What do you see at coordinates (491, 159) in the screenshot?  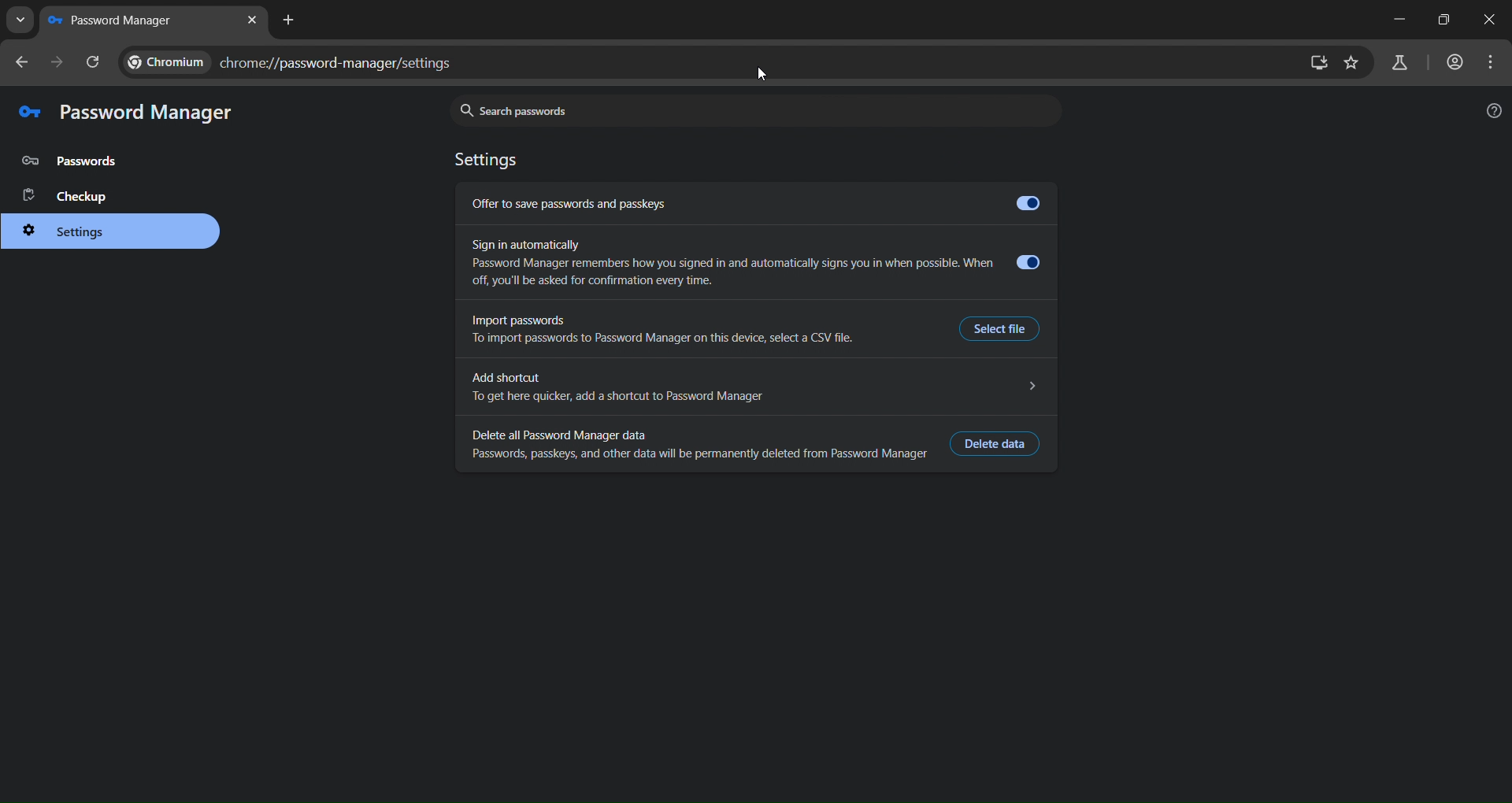 I see `settings` at bounding box center [491, 159].